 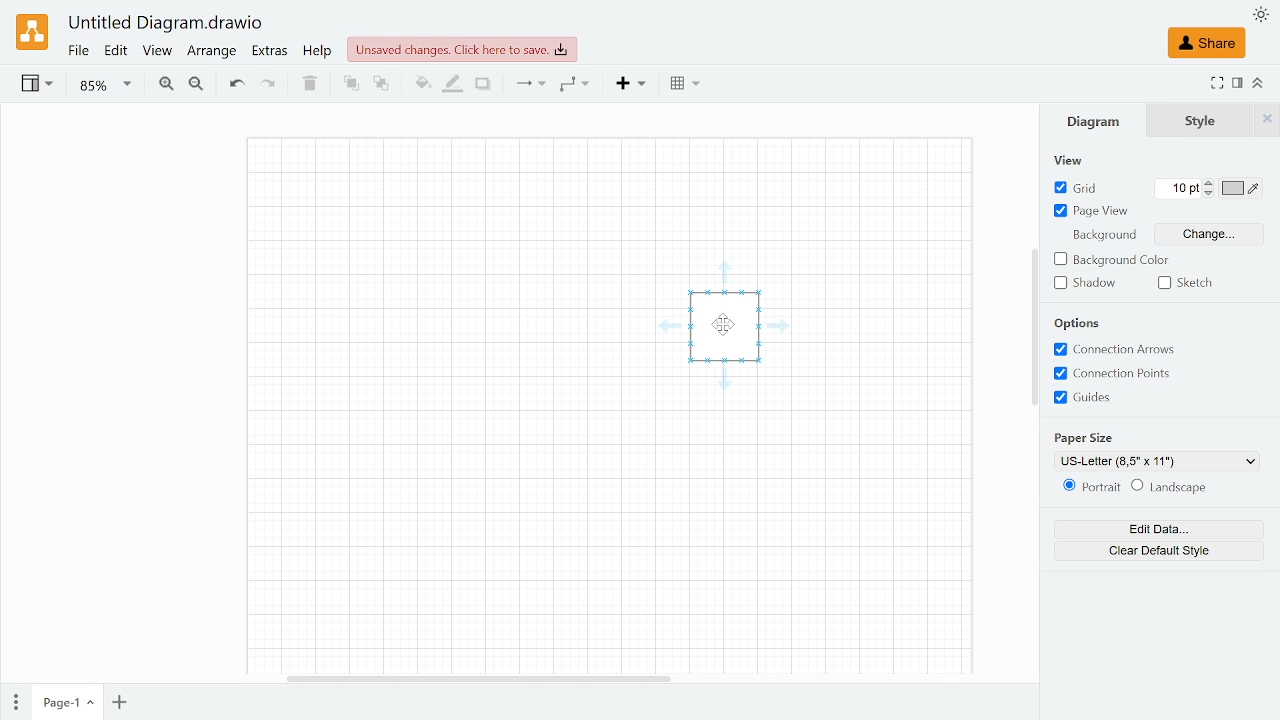 I want to click on Zoom in, so click(x=165, y=86).